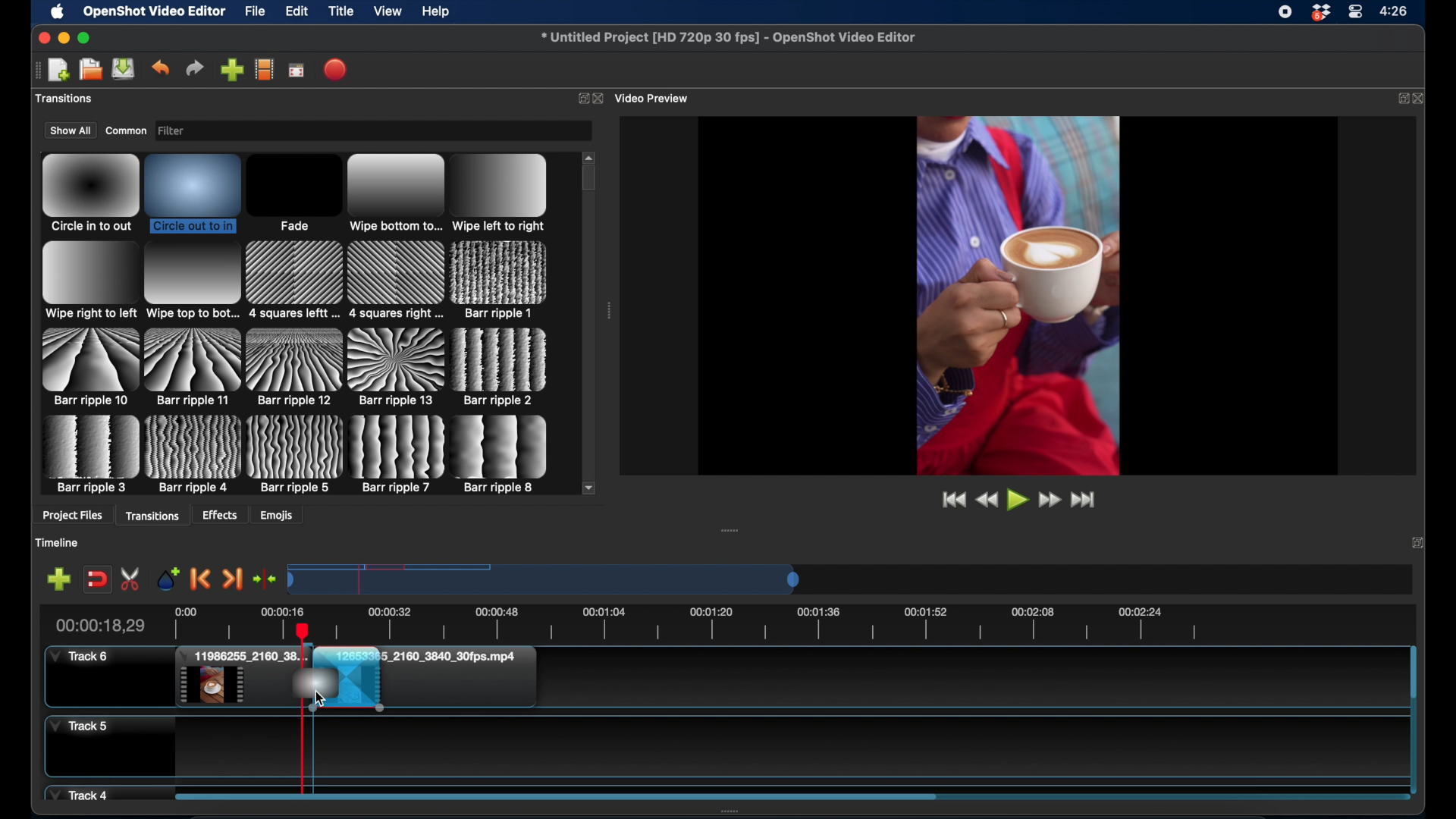 This screenshot has width=1456, height=819. What do you see at coordinates (67, 99) in the screenshot?
I see `project files` at bounding box center [67, 99].